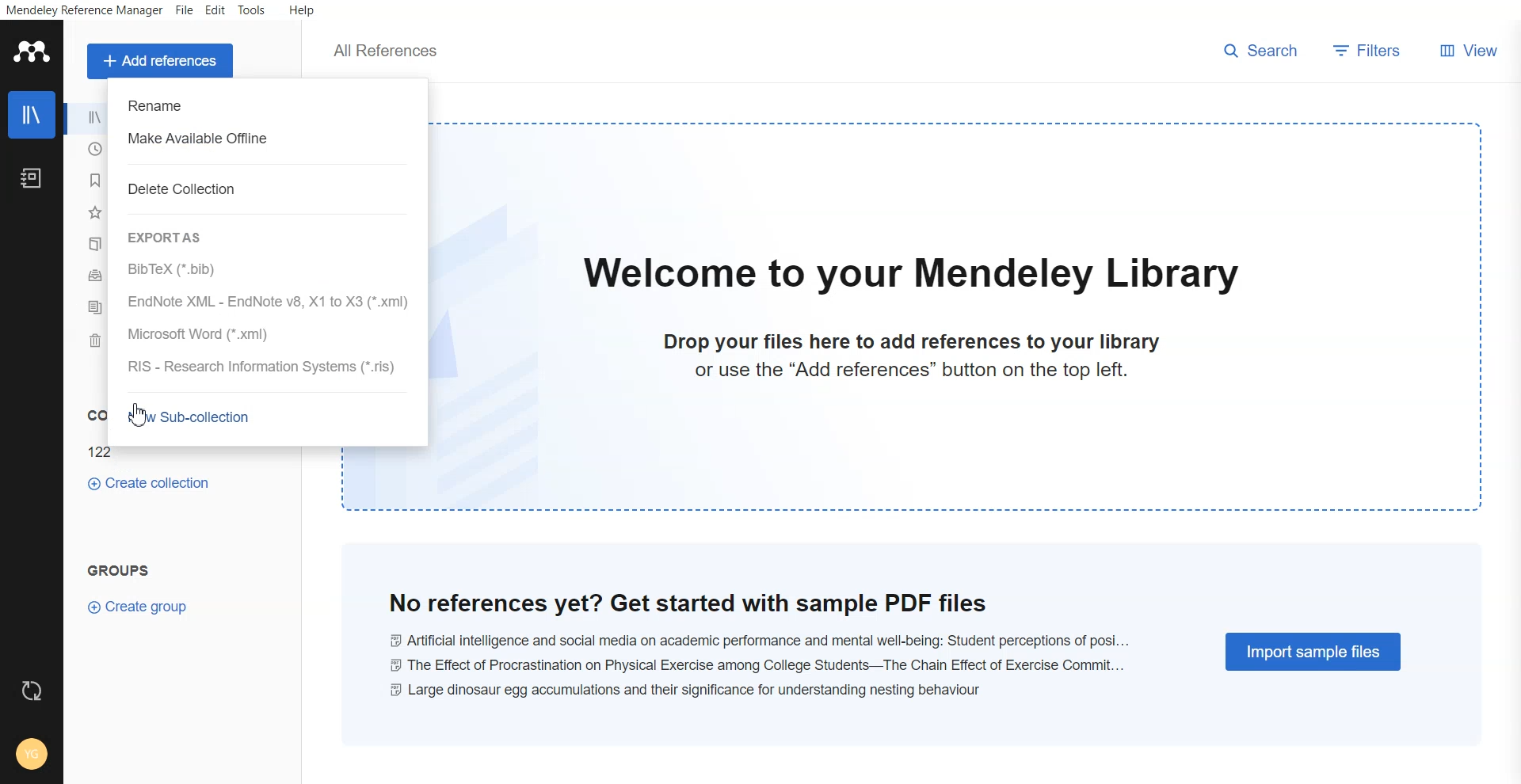 Image resolution: width=1521 pixels, height=784 pixels. I want to click on Rename, so click(250, 107).